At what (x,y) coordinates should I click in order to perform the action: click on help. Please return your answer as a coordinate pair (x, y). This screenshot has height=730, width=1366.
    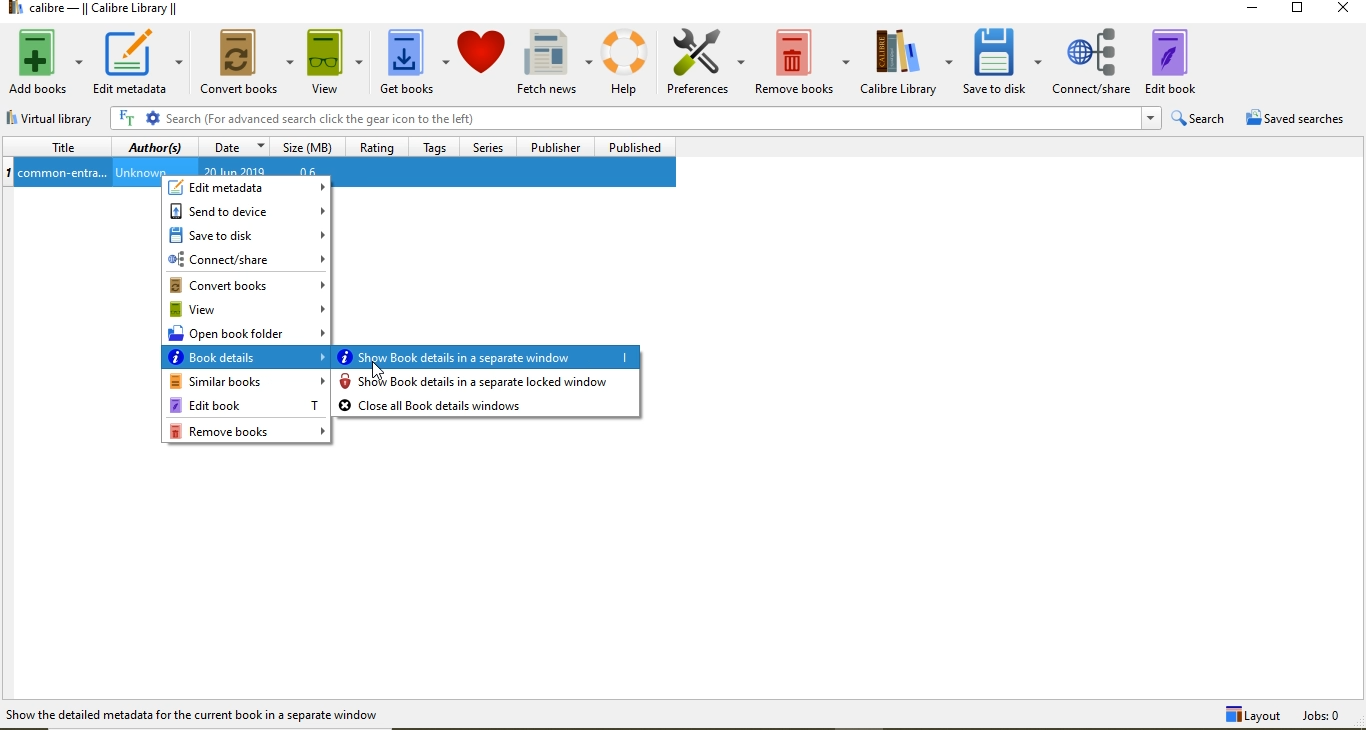
    Looking at the image, I should click on (629, 61).